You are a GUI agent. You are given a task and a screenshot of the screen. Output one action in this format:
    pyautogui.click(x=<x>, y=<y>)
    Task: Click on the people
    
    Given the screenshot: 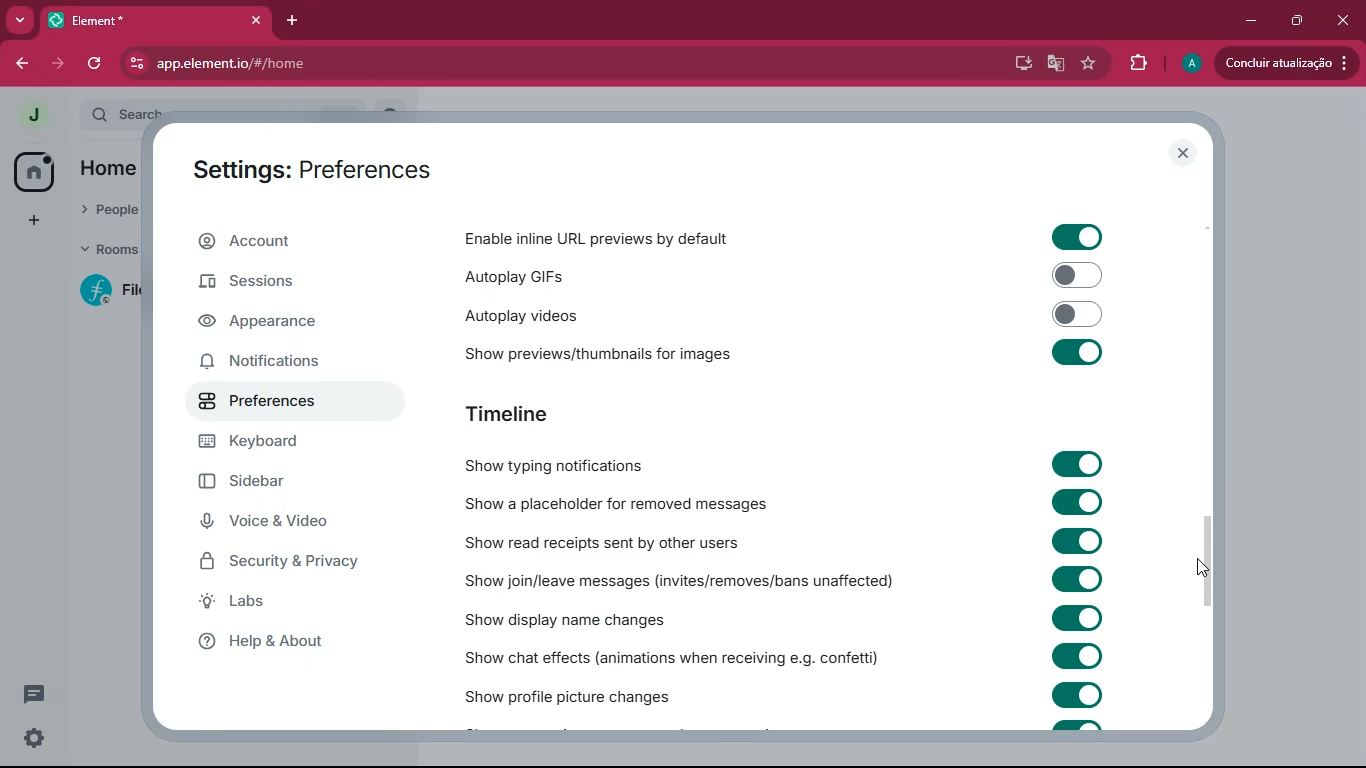 What is the action you would take?
    pyautogui.click(x=104, y=212)
    